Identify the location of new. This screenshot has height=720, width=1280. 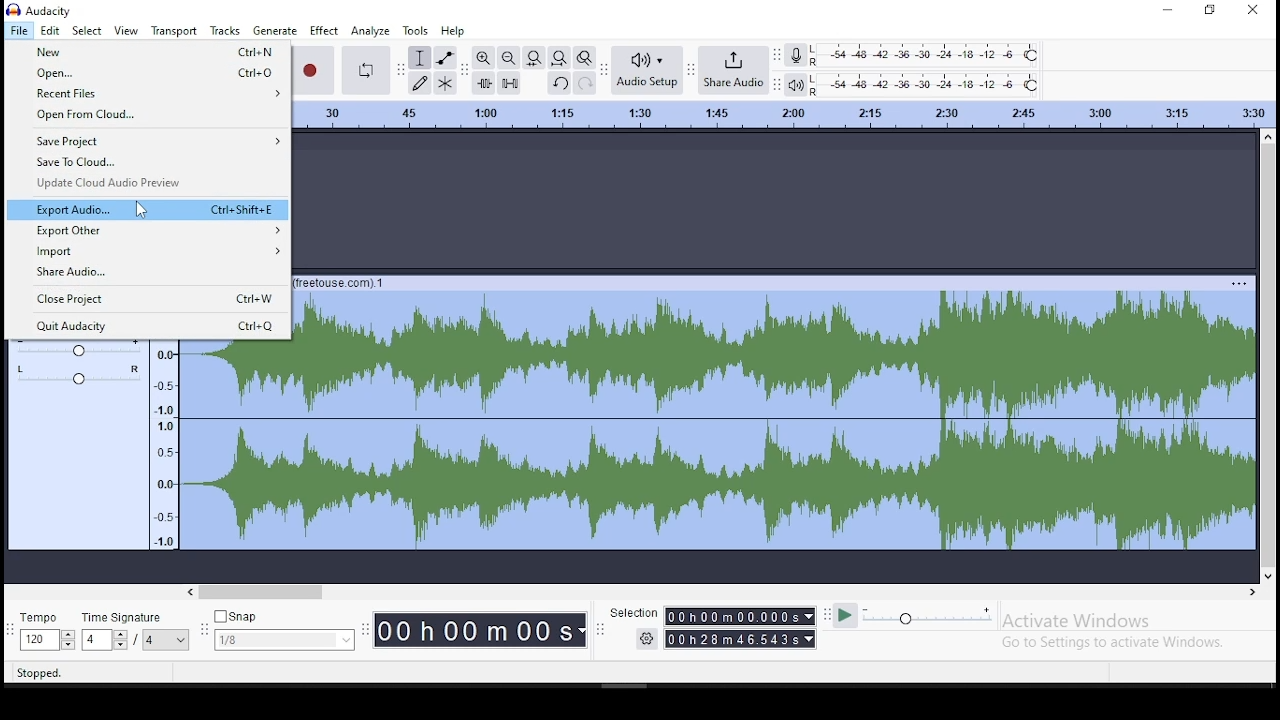
(150, 51).